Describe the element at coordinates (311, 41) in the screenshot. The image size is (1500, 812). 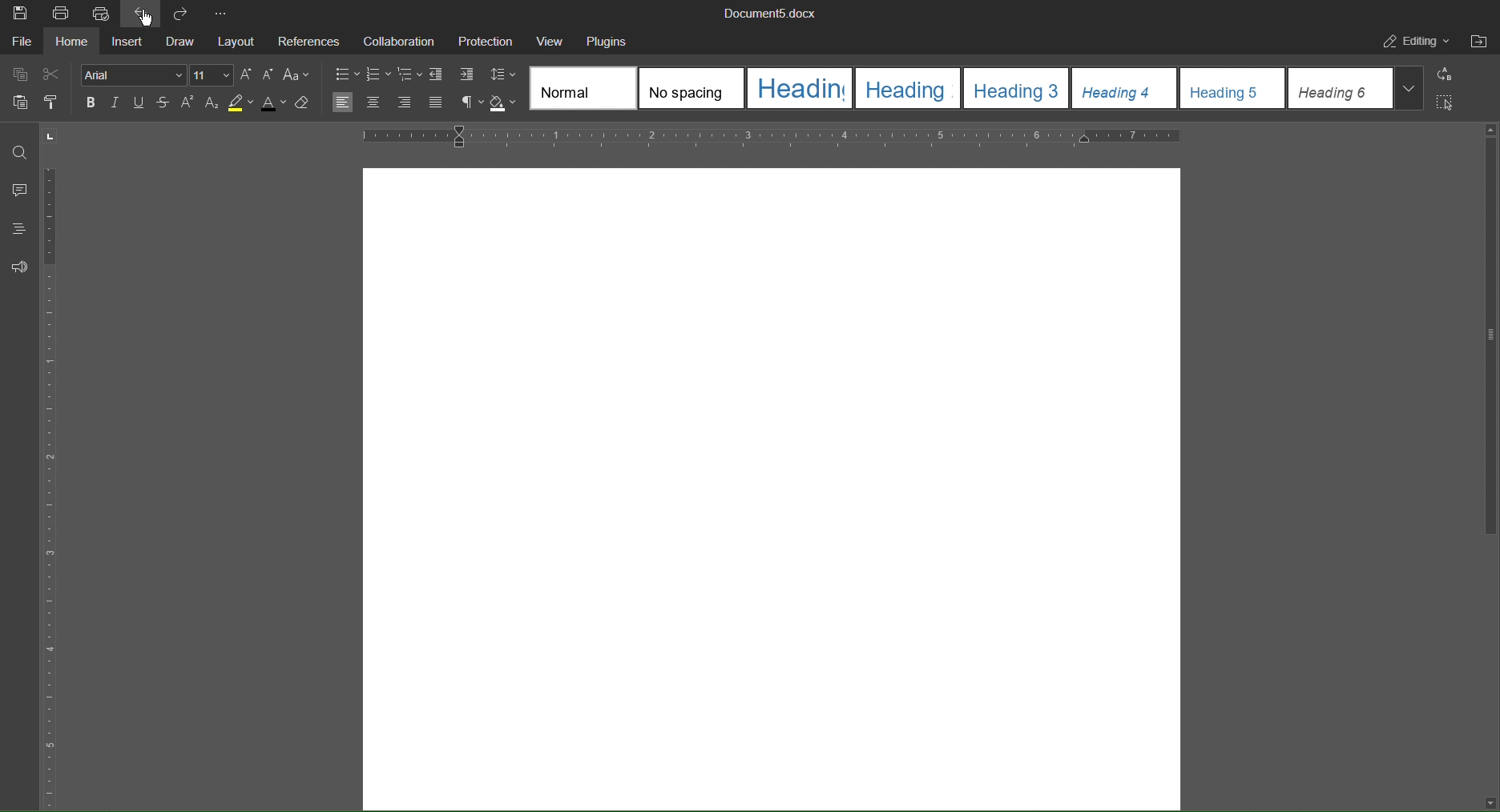
I see `References` at that location.